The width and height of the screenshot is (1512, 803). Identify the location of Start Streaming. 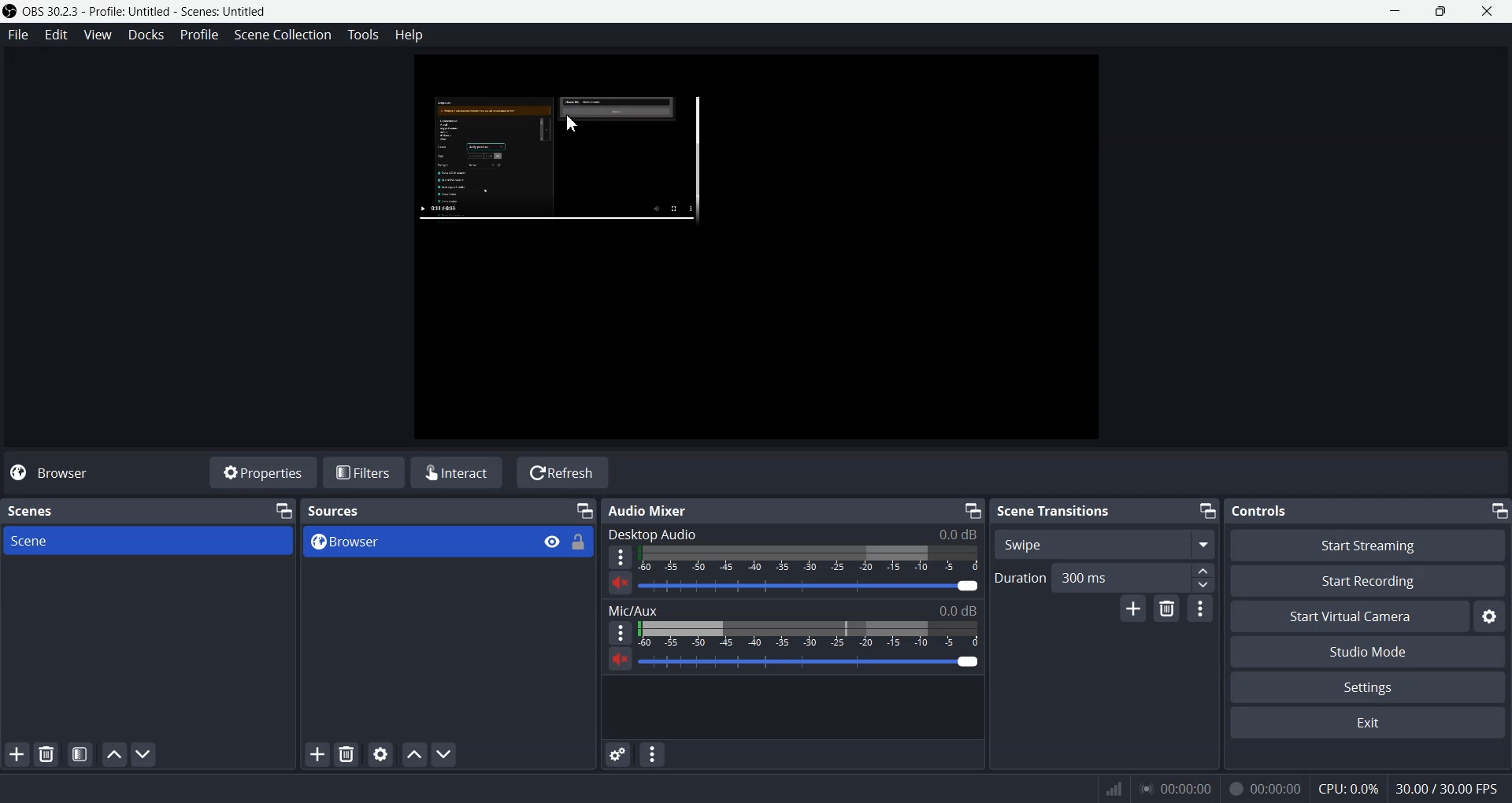
(1368, 545).